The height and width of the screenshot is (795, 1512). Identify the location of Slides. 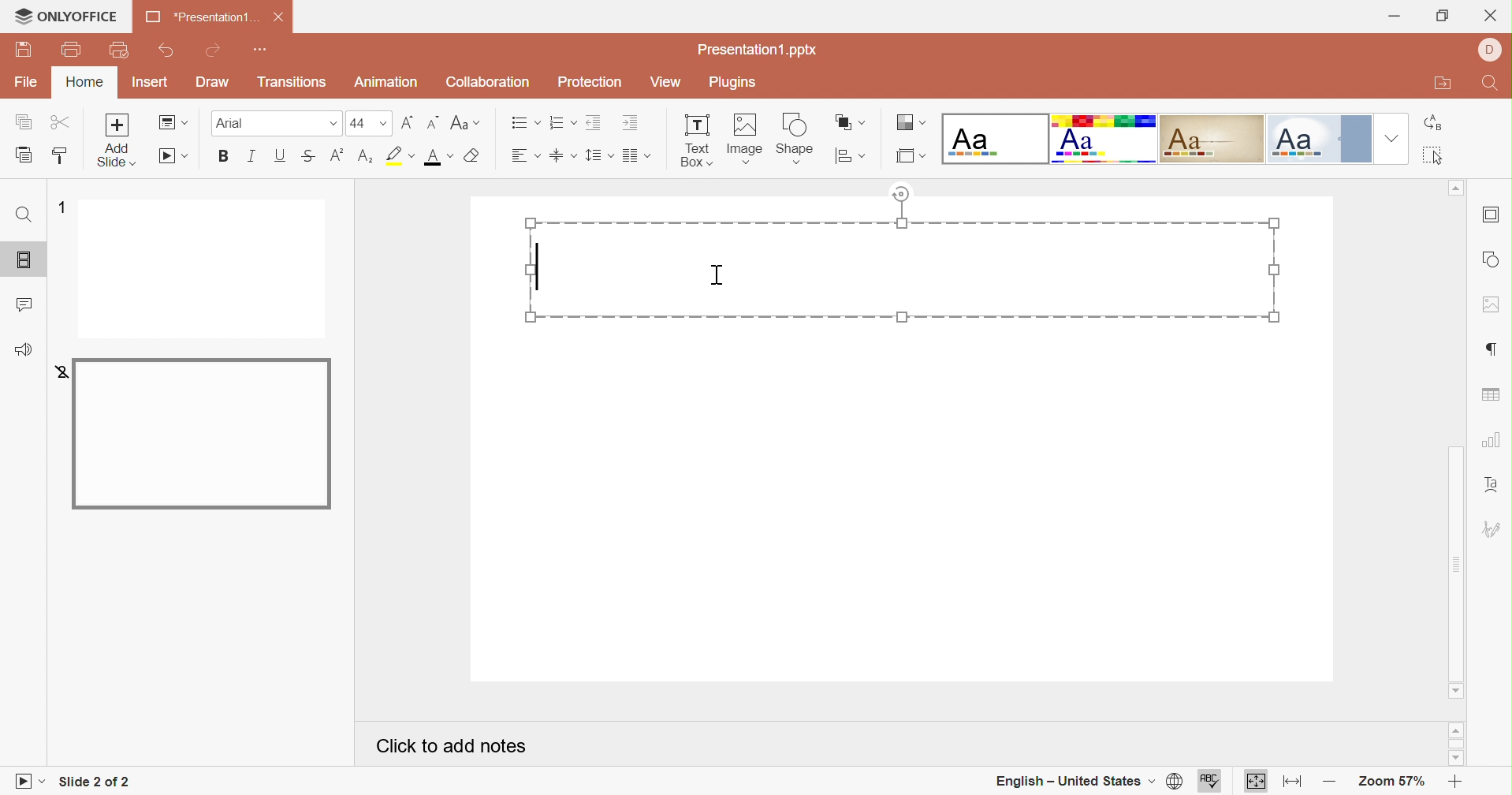
(19, 259).